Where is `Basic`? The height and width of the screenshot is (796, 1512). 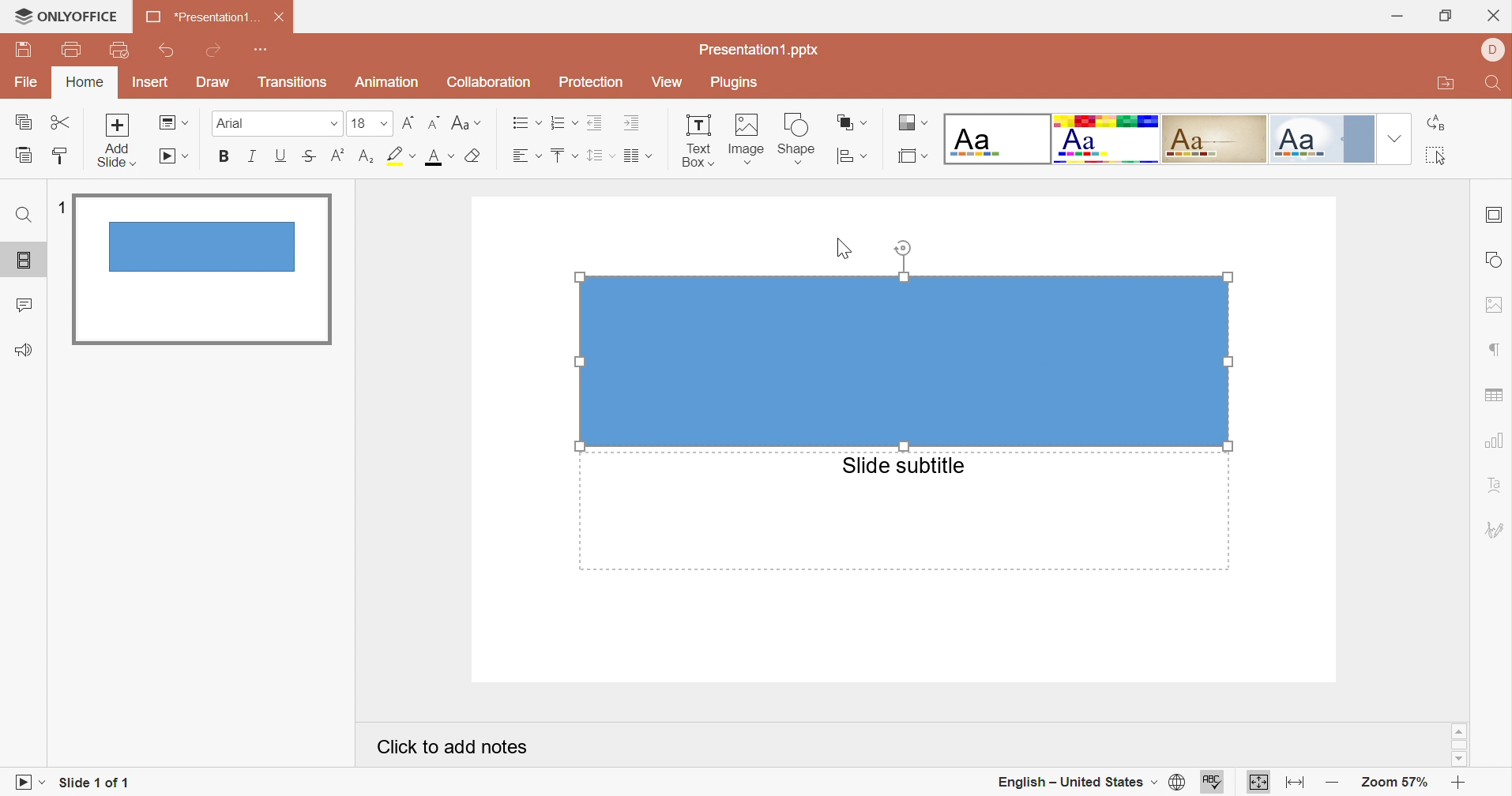 Basic is located at coordinates (1107, 139).